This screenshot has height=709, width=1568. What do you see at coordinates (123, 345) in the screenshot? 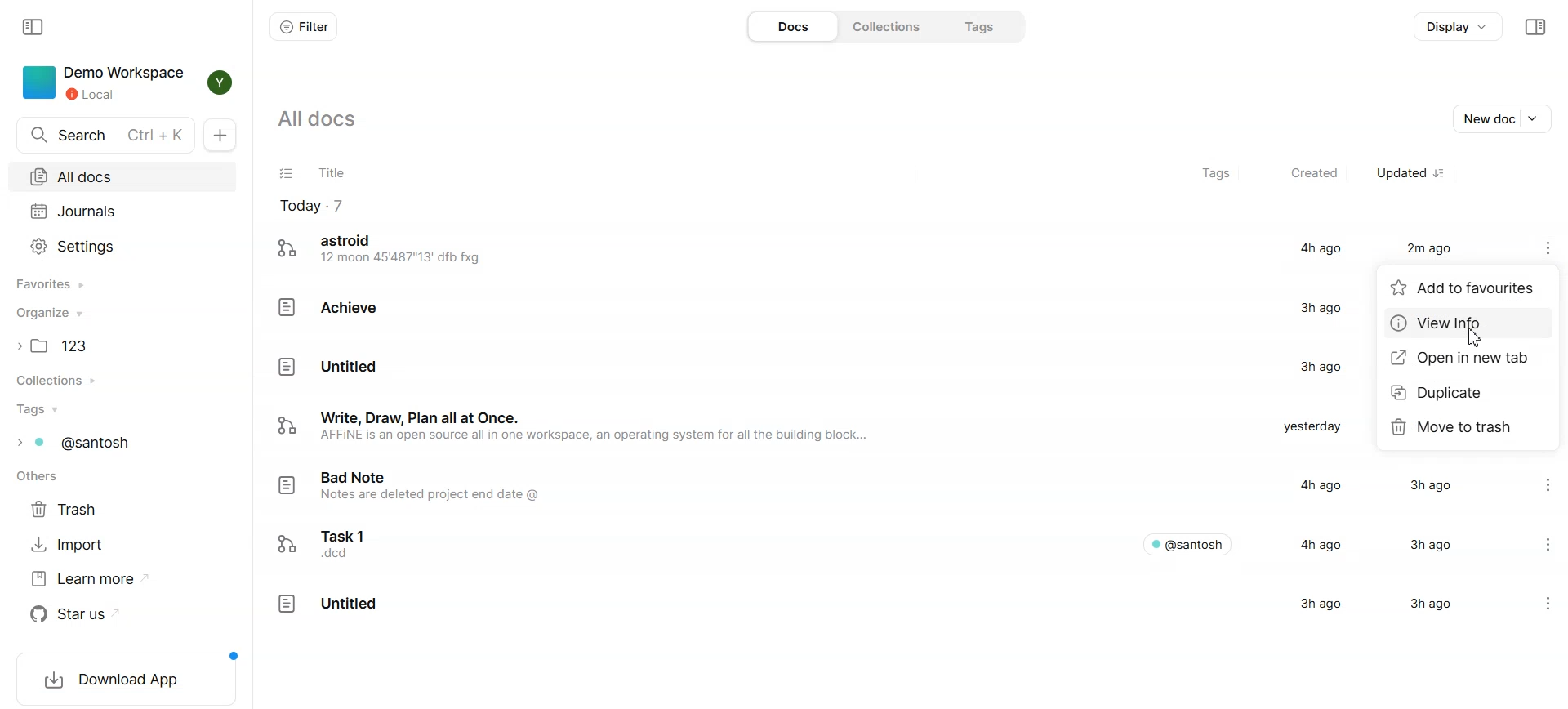
I see `Folder` at bounding box center [123, 345].